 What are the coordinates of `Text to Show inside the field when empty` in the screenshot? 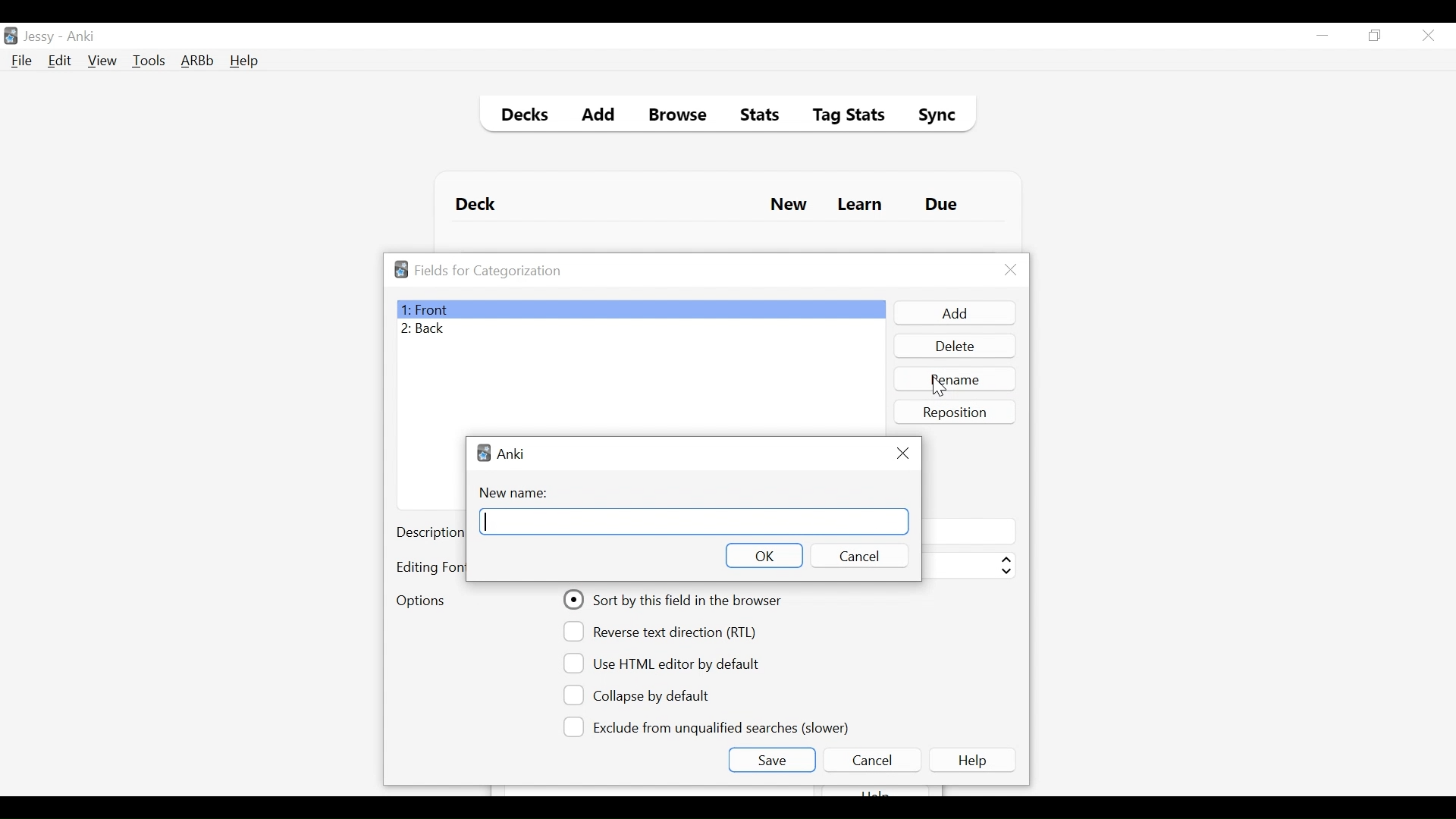 It's located at (968, 531).